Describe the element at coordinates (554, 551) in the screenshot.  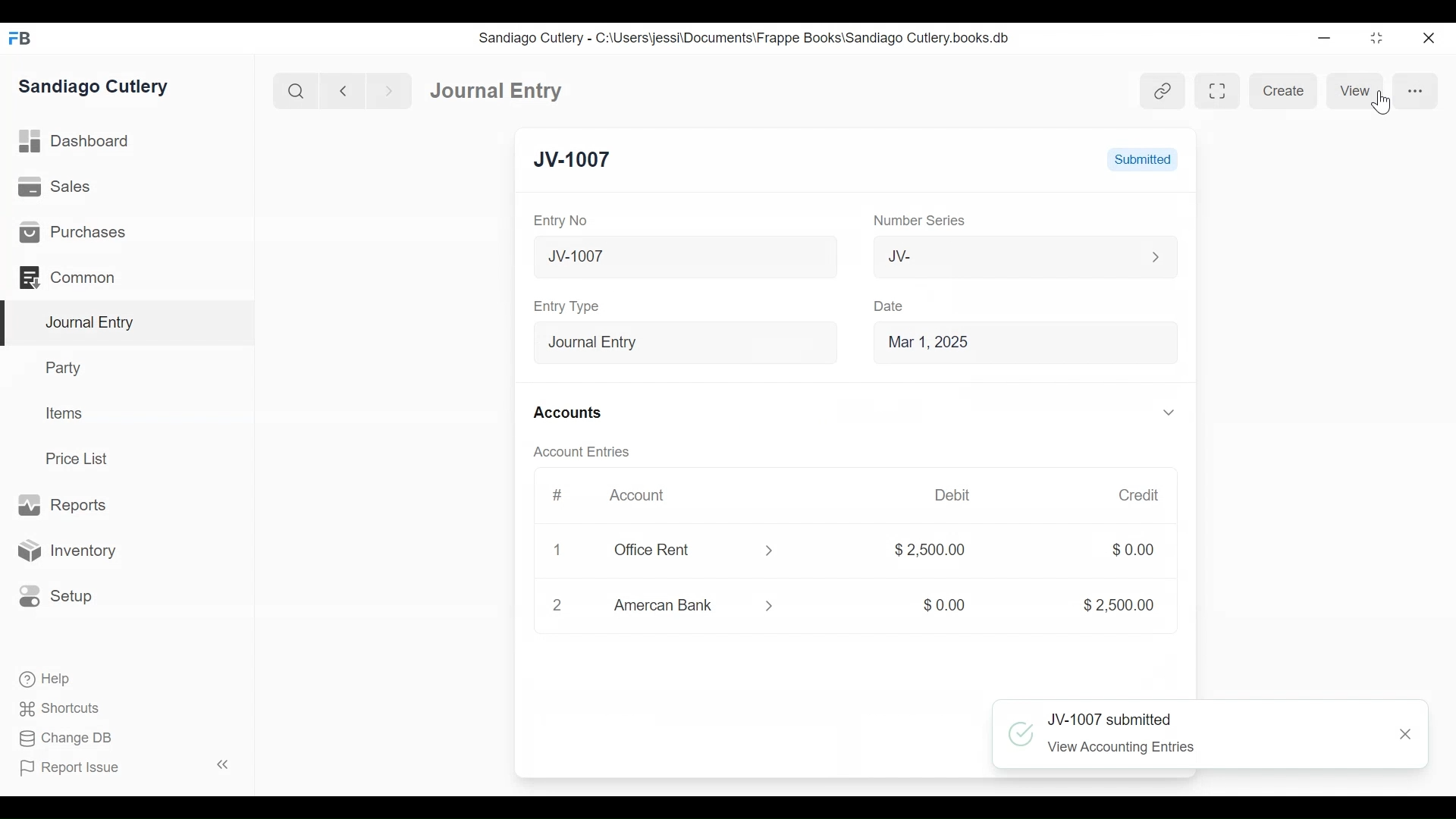
I see `delete` at that location.